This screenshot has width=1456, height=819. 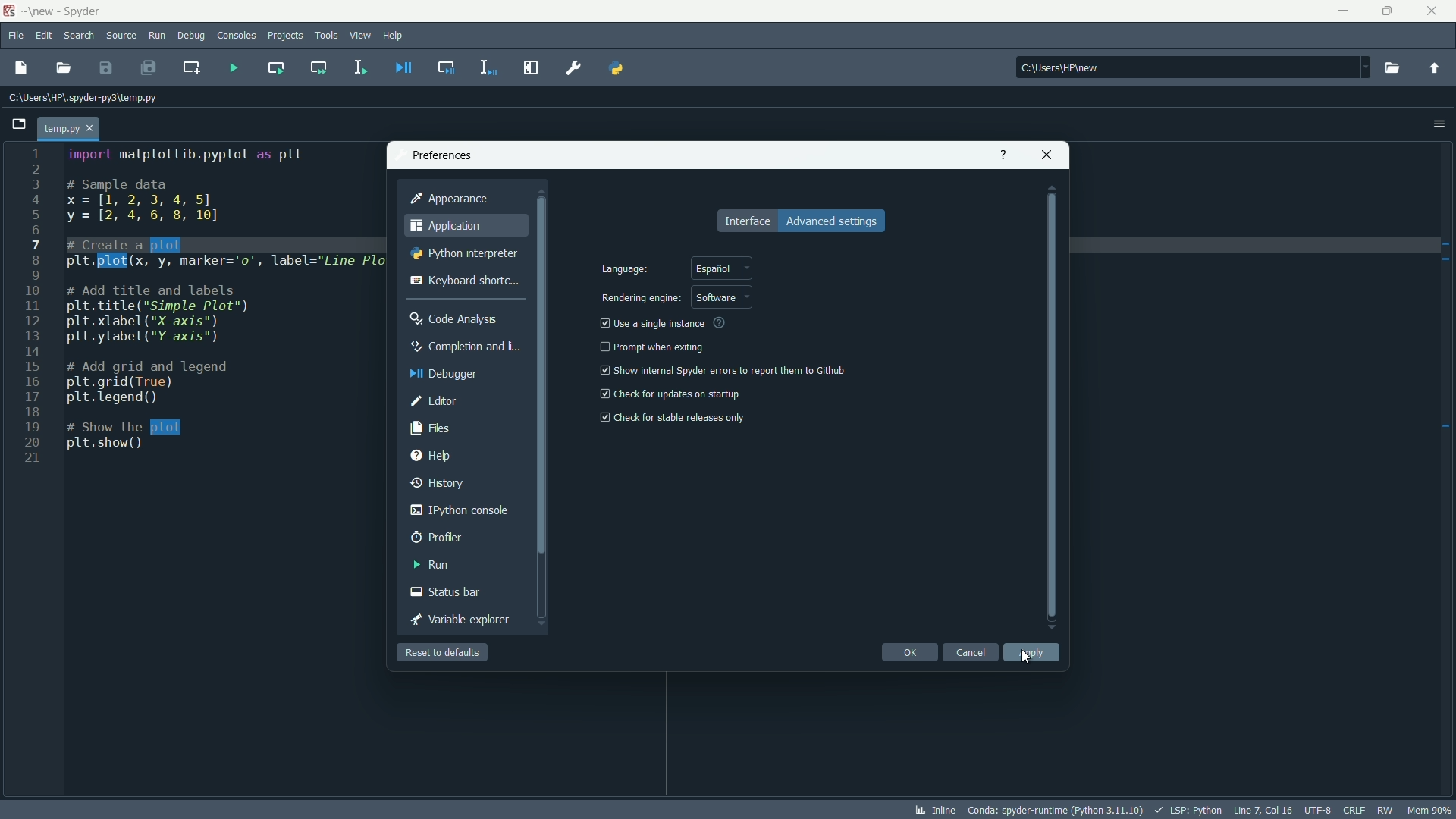 What do you see at coordinates (1392, 67) in the screenshot?
I see `browse directory` at bounding box center [1392, 67].